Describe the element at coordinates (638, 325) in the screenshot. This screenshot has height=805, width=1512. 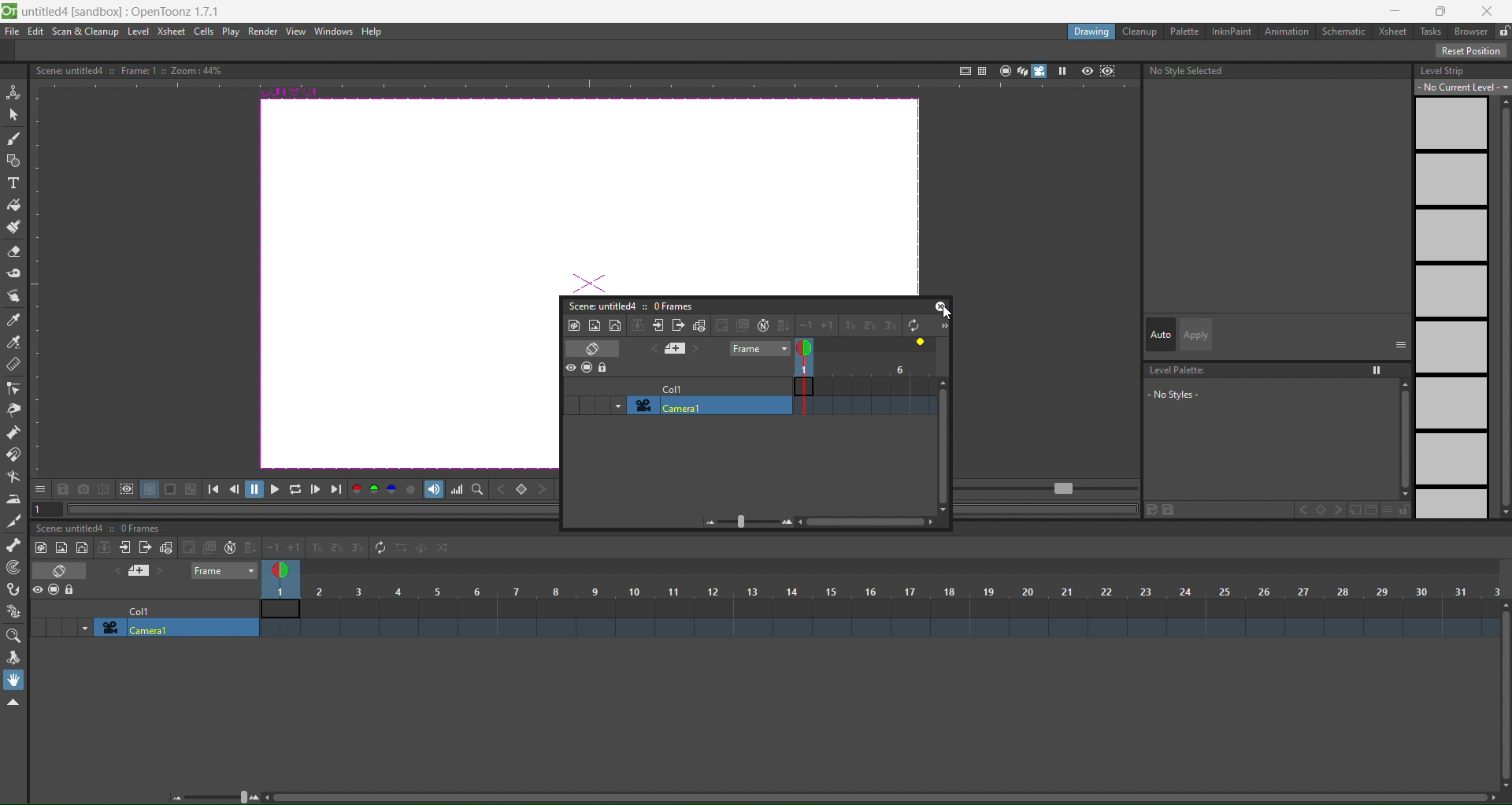
I see `collapse` at that location.